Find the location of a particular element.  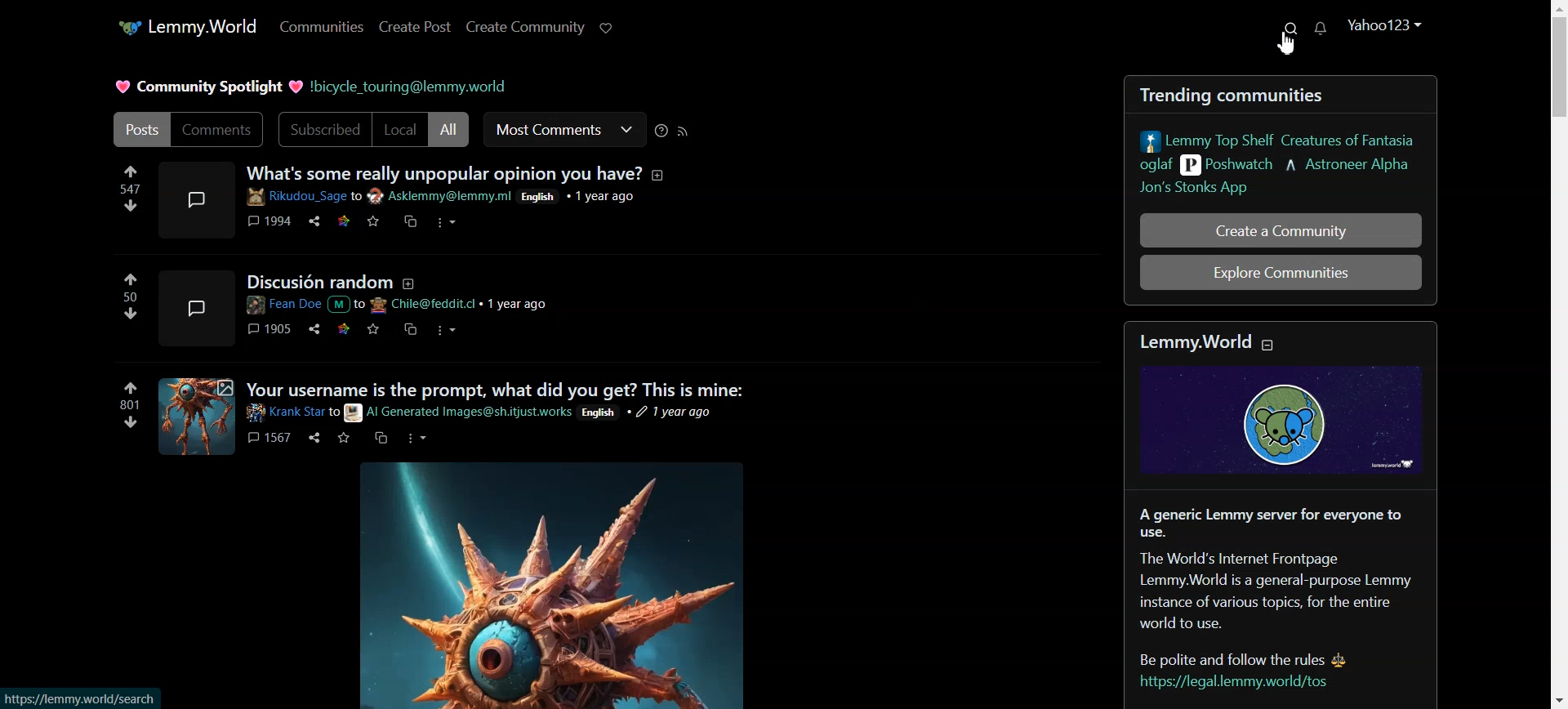

1905 comment is located at coordinates (270, 328).